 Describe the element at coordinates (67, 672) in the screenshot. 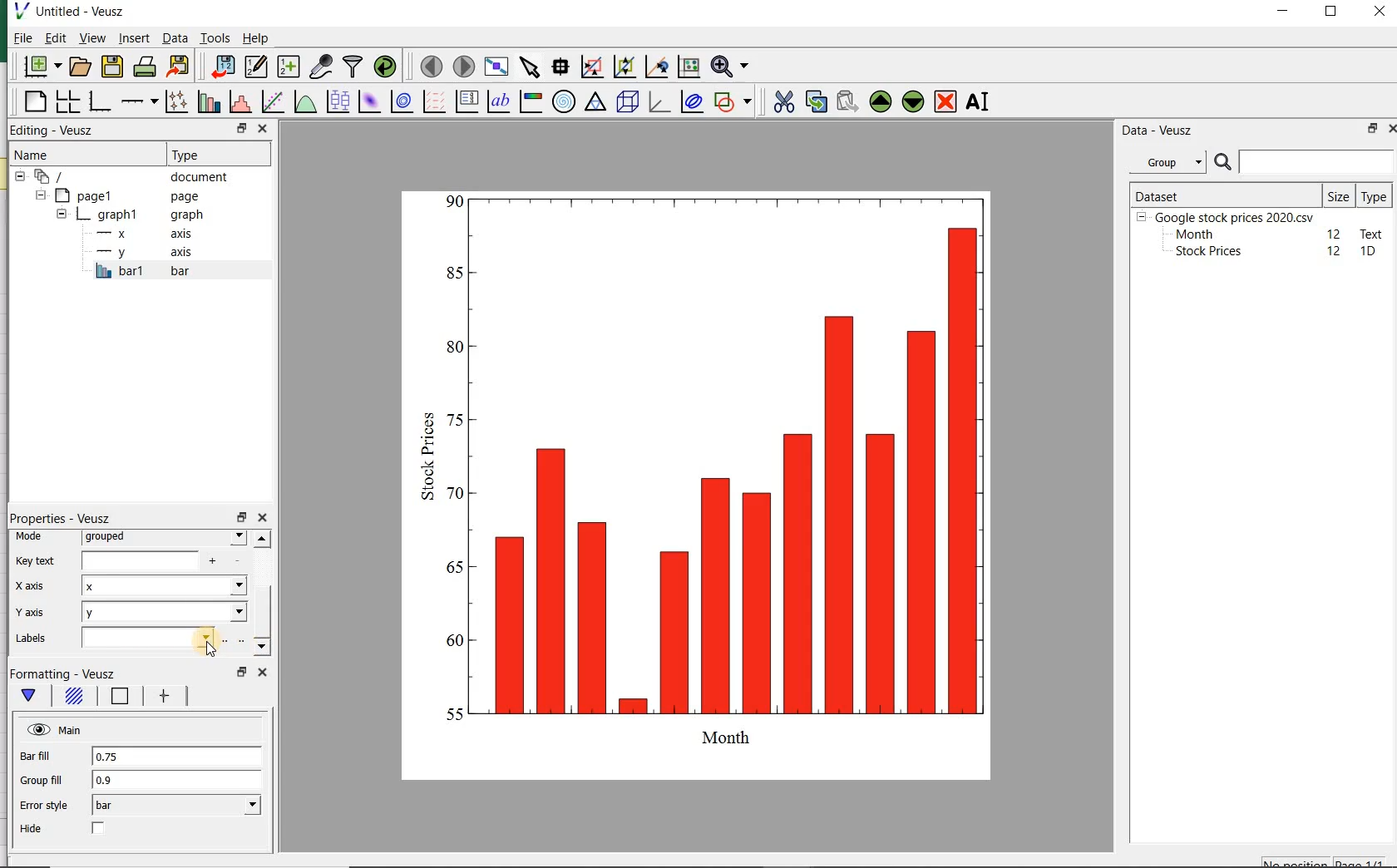

I see `Formatting - Veusz` at that location.